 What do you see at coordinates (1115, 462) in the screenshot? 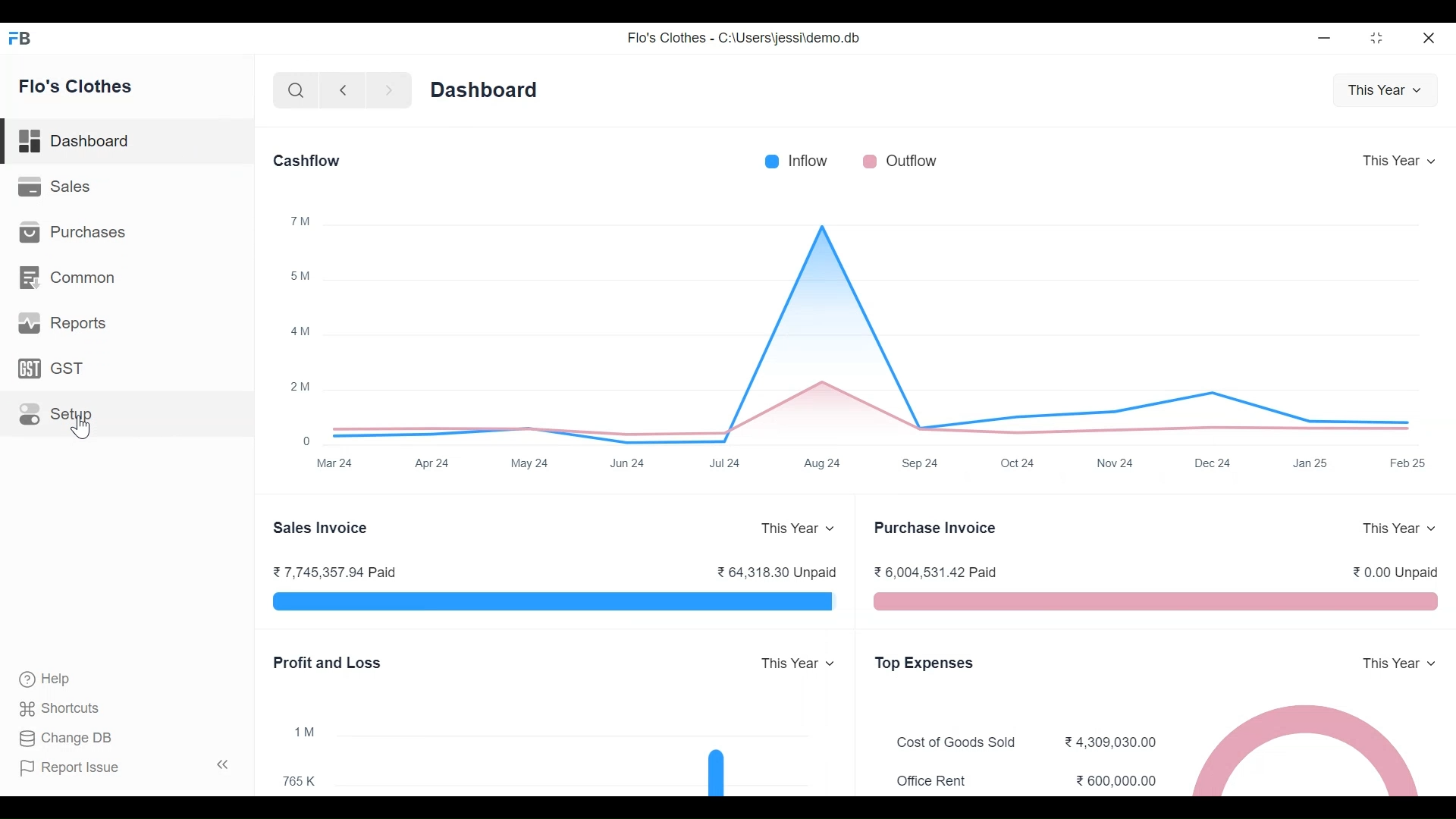
I see `nov 24` at bounding box center [1115, 462].